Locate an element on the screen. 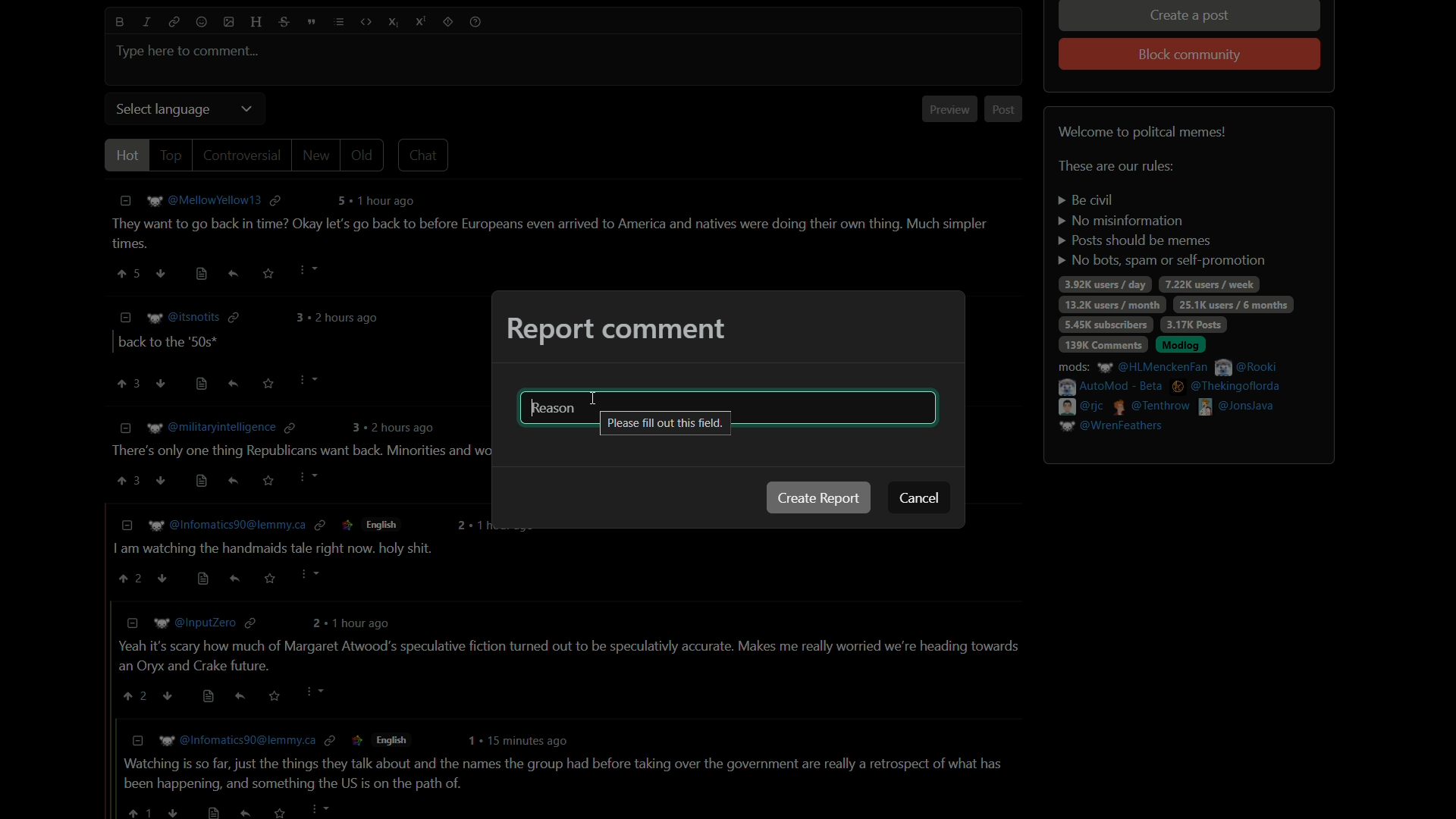 Image resolution: width=1456 pixels, height=819 pixels. italic is located at coordinates (148, 22).